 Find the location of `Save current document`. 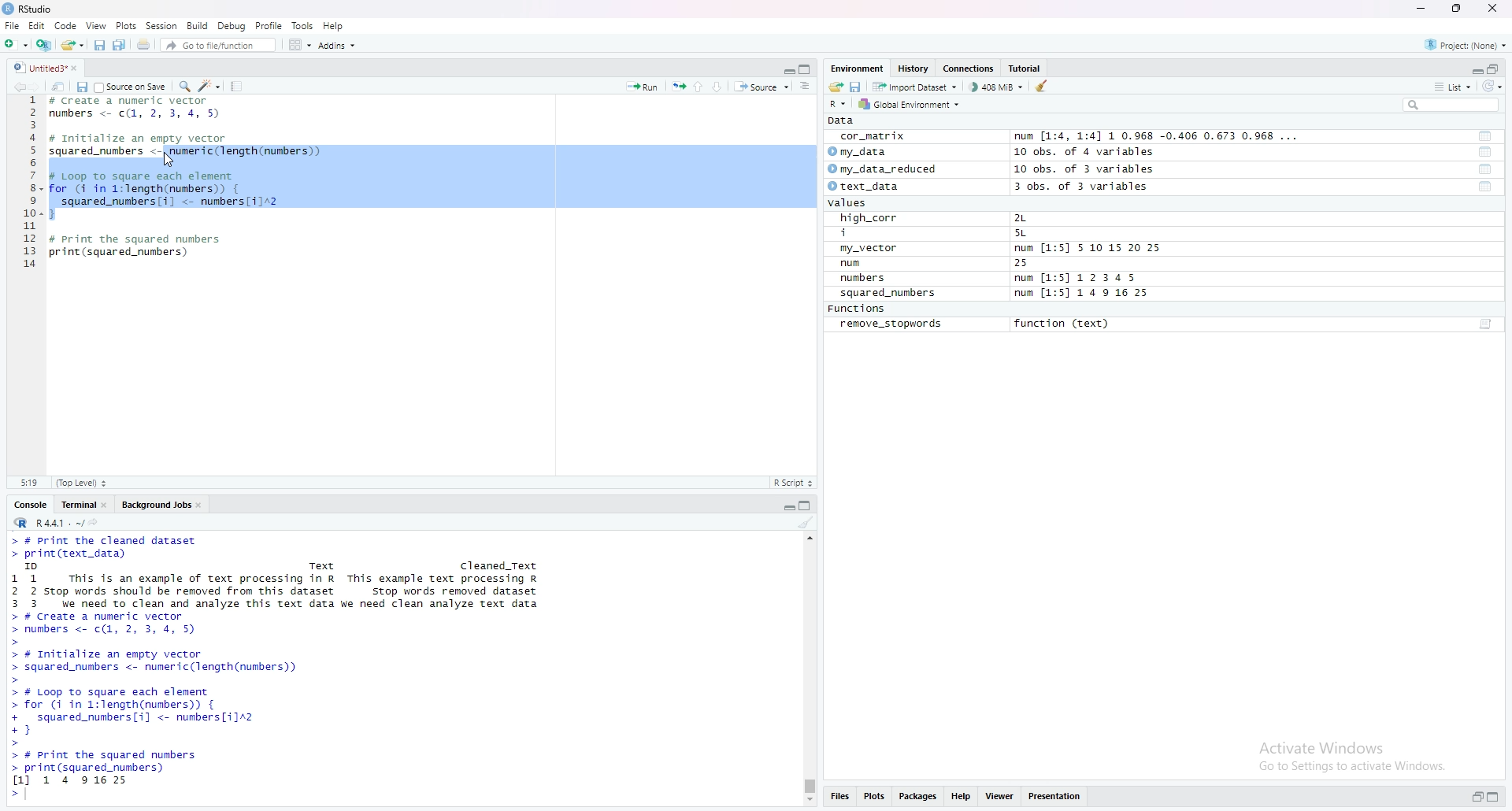

Save current document is located at coordinates (99, 43).